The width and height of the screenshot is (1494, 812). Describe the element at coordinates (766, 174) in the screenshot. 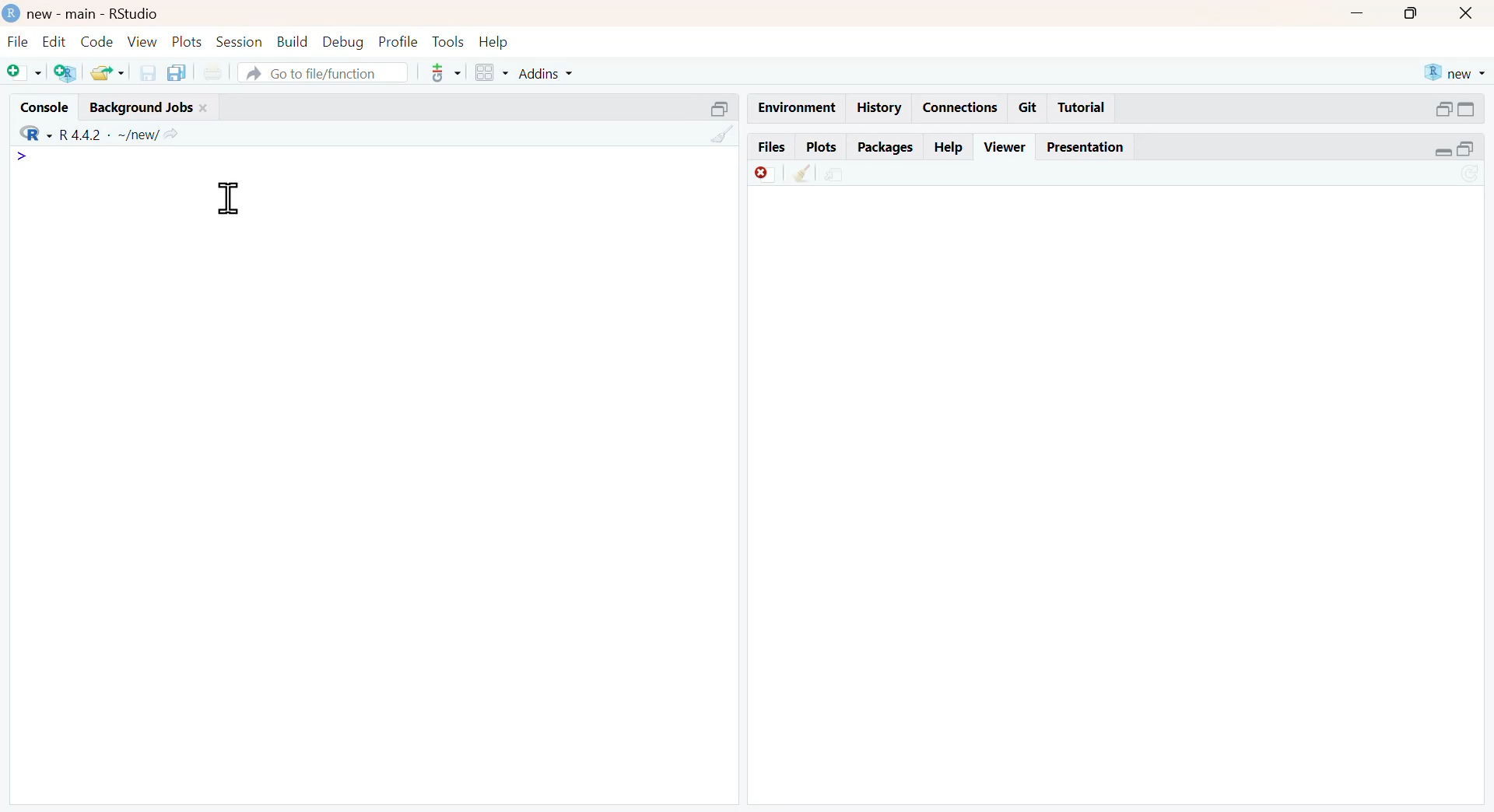

I see `discard` at that location.